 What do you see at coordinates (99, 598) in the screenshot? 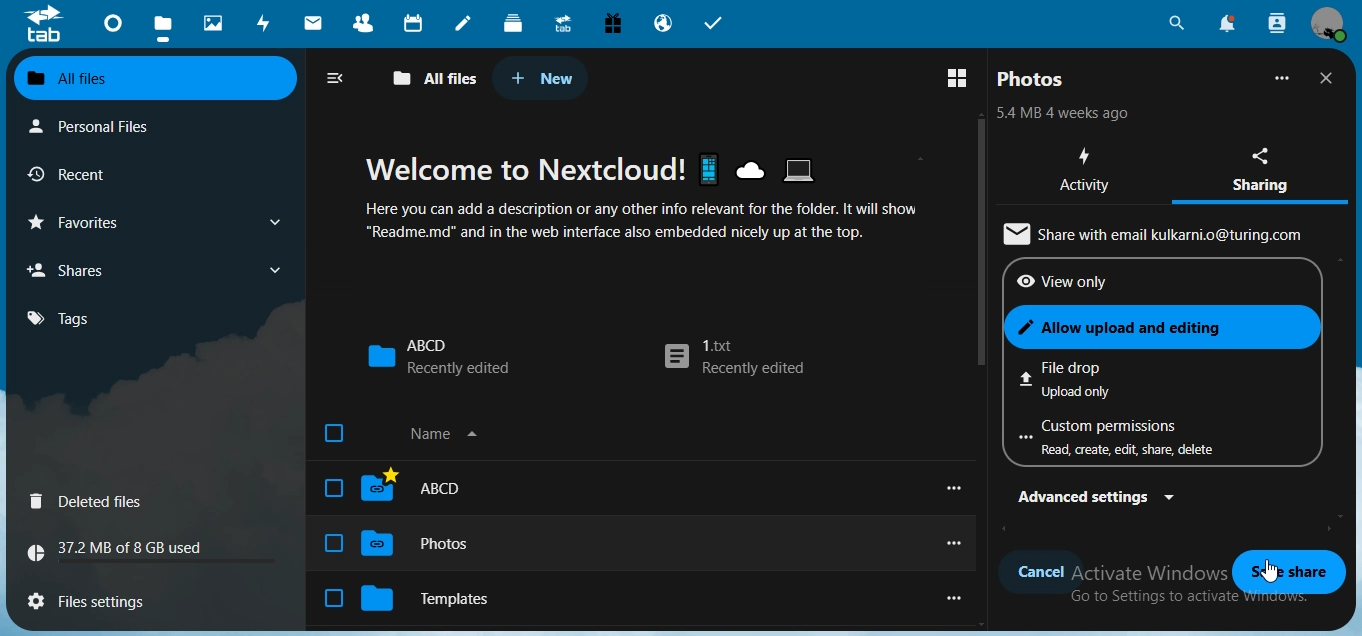
I see `files` at bounding box center [99, 598].